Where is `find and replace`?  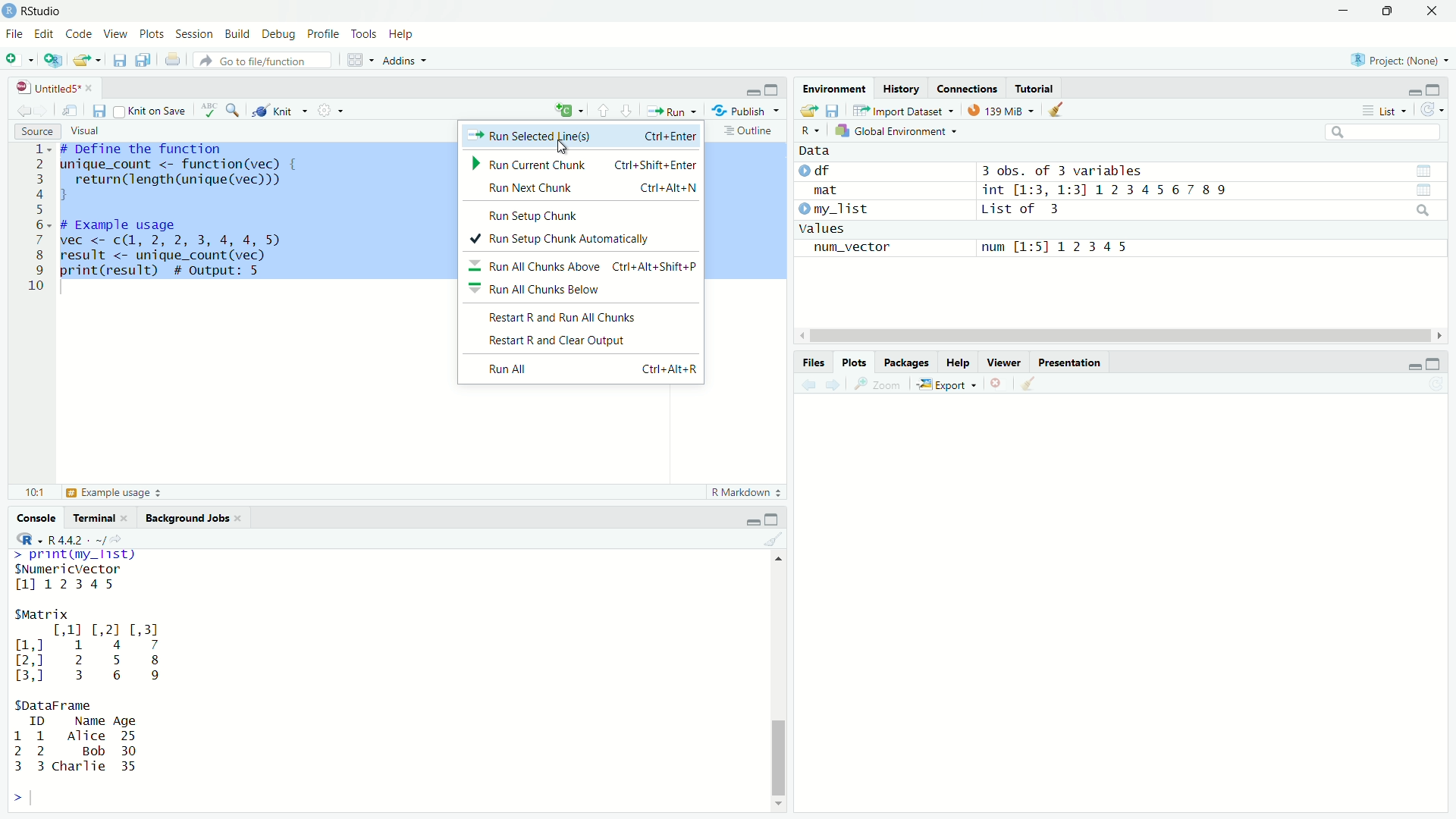
find and replace is located at coordinates (237, 111).